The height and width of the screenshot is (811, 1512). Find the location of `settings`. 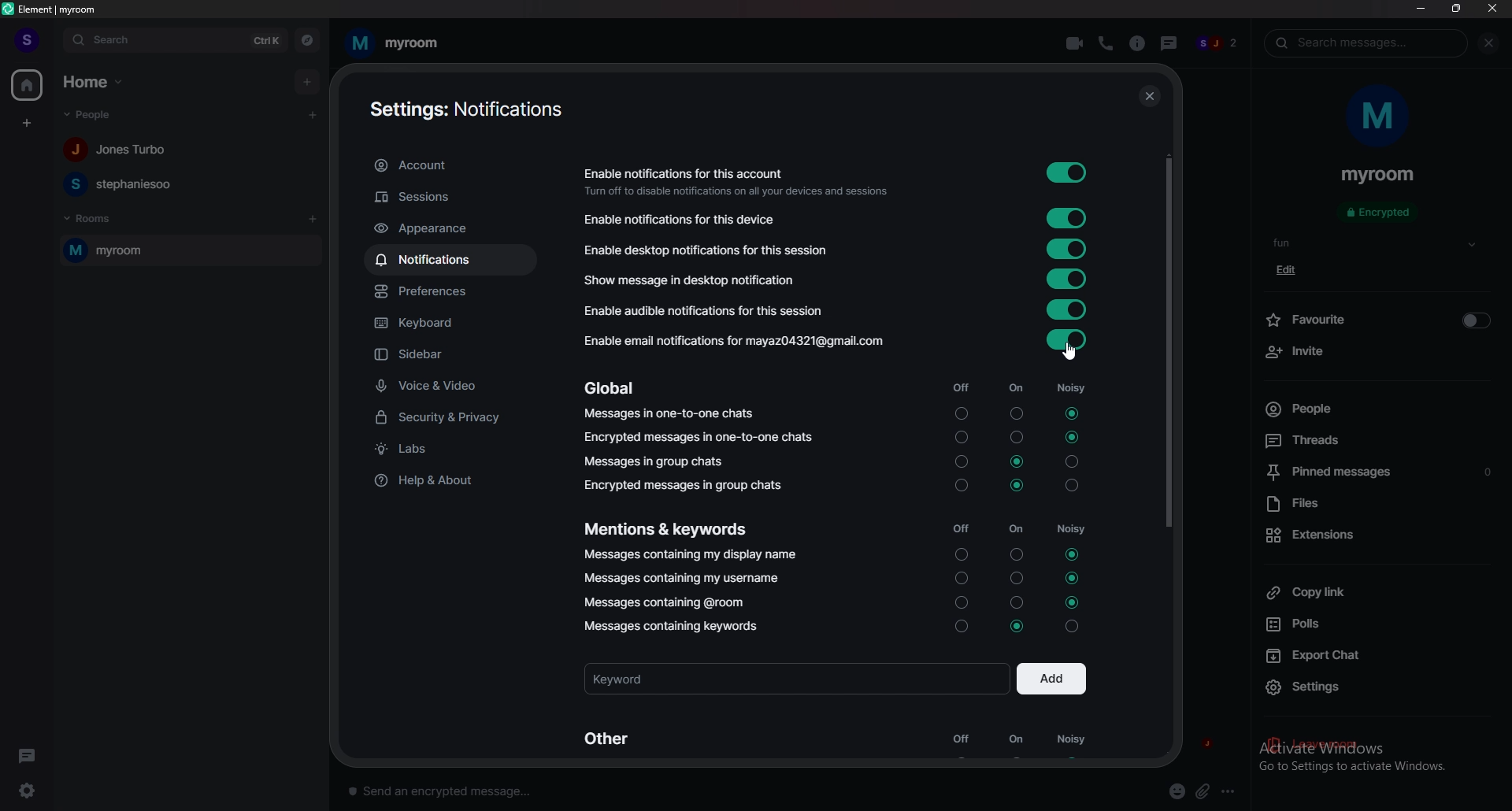

settings is located at coordinates (1380, 688).